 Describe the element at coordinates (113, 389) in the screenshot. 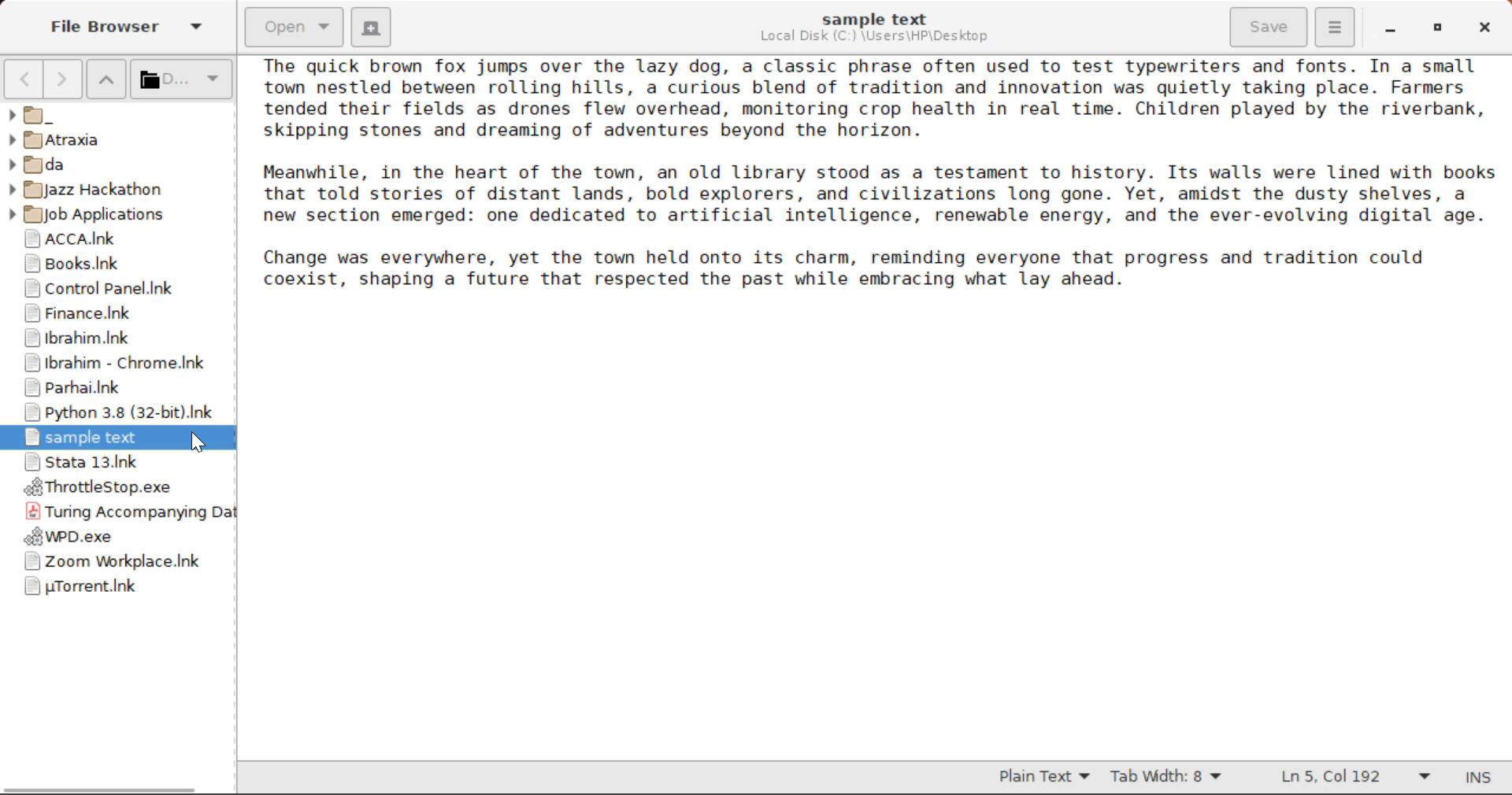

I see `Parhai Folder Shortcut Link` at that location.